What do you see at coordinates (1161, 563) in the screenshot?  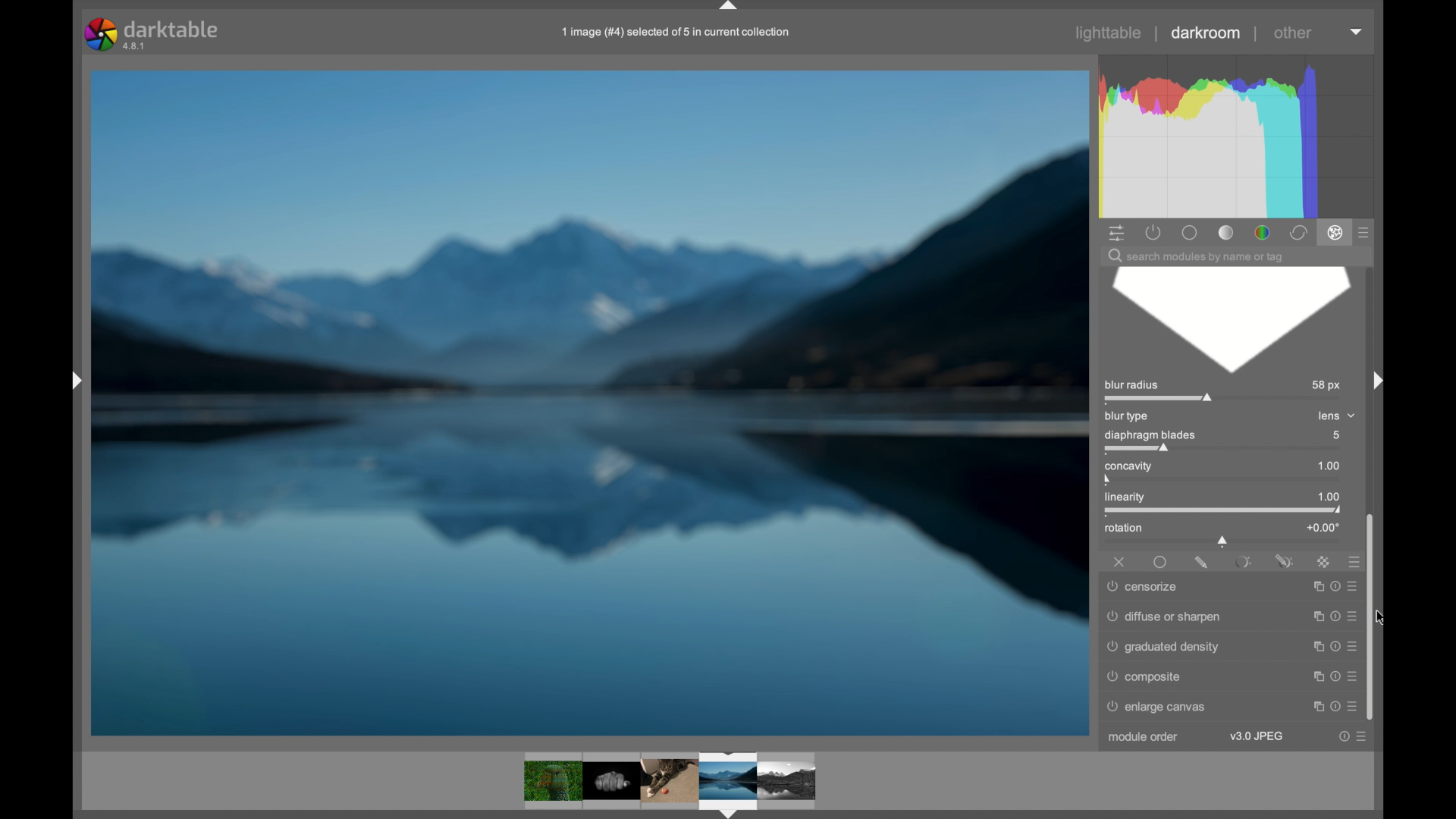 I see `uniformly` at bounding box center [1161, 563].